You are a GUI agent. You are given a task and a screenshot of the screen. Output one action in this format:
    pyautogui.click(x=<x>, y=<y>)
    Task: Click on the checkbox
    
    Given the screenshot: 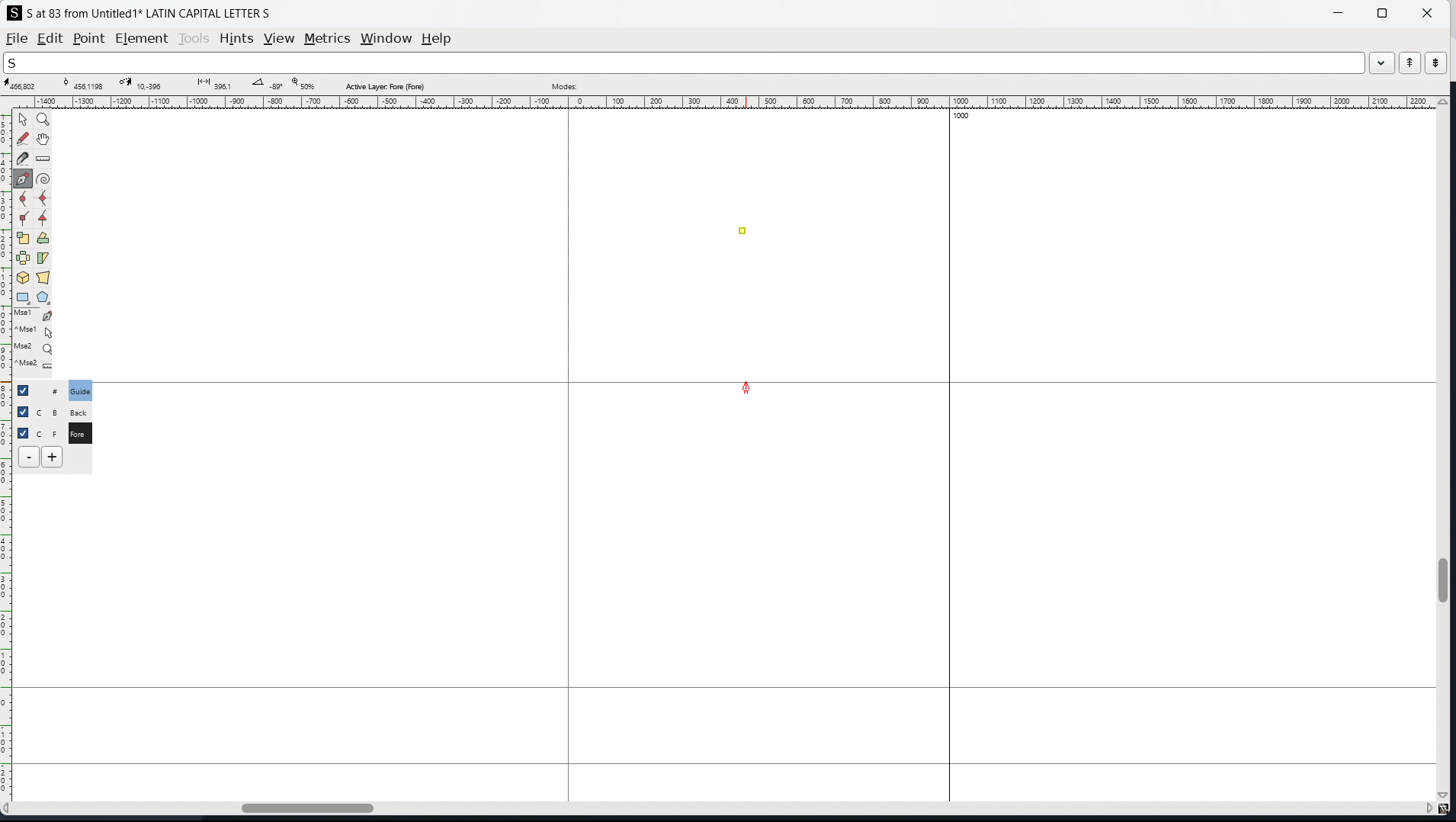 What is the action you would take?
    pyautogui.click(x=27, y=390)
    